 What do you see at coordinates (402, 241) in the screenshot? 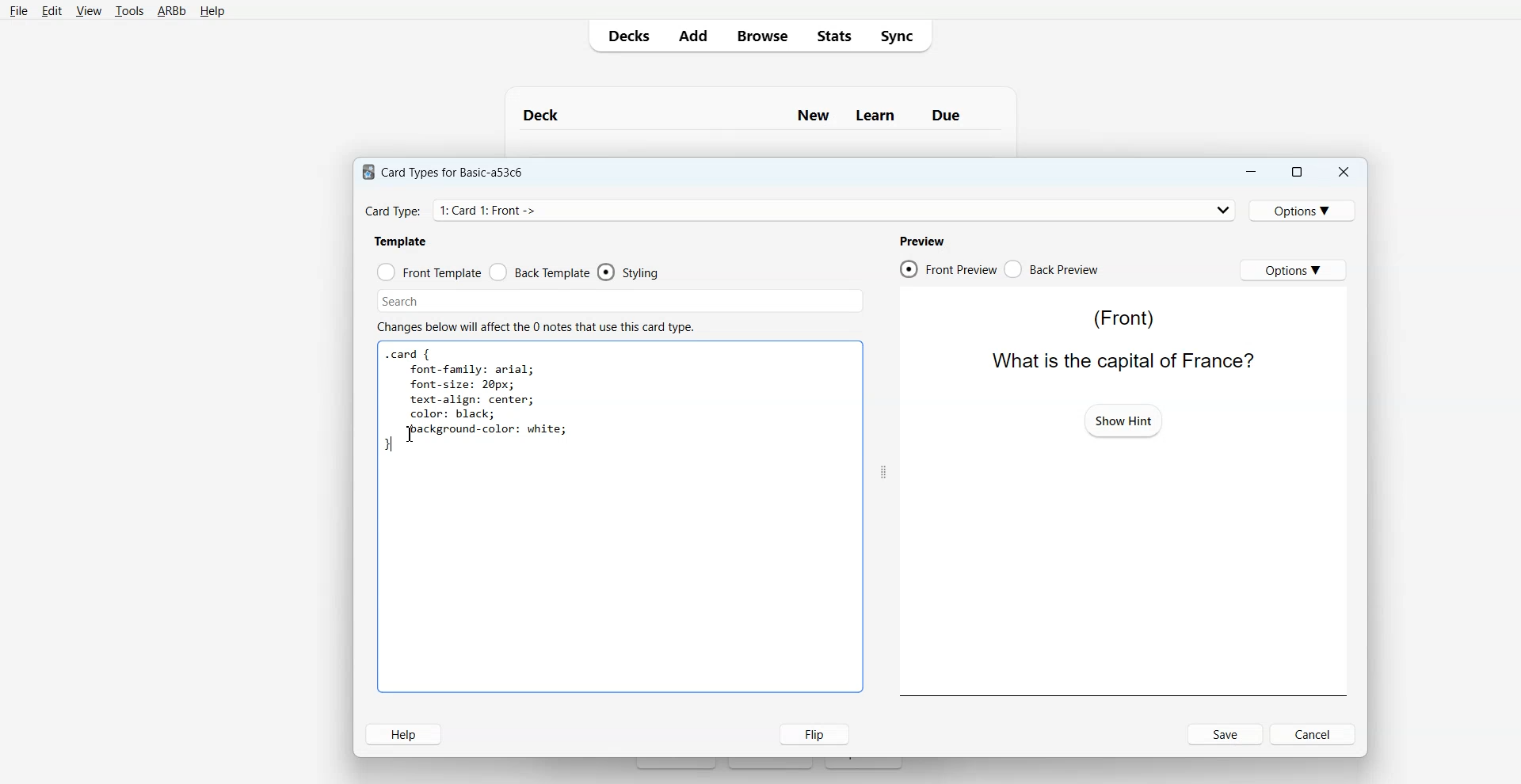
I see `Template` at bounding box center [402, 241].